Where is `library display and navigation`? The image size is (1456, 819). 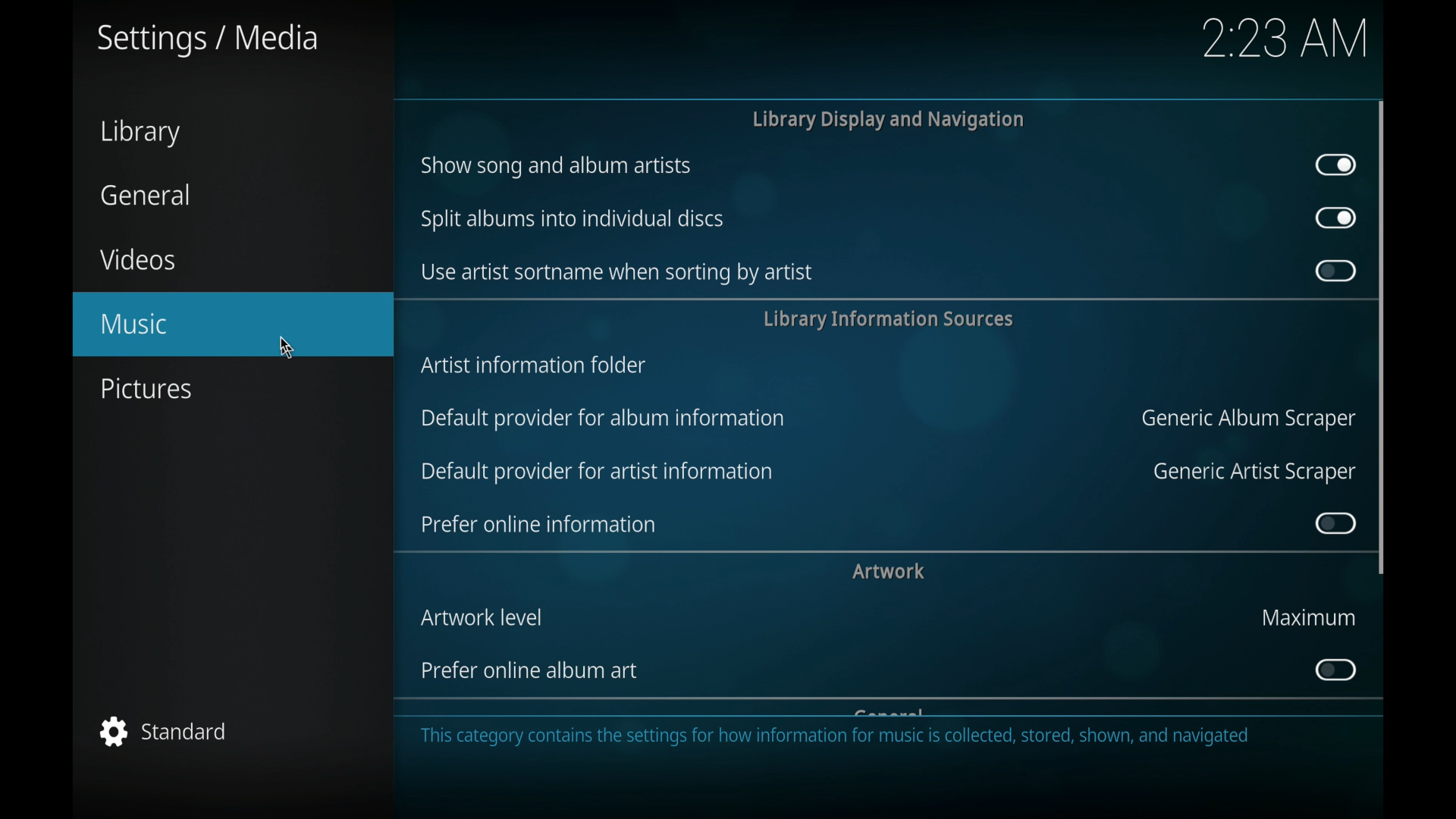 library display and navigation is located at coordinates (887, 119).